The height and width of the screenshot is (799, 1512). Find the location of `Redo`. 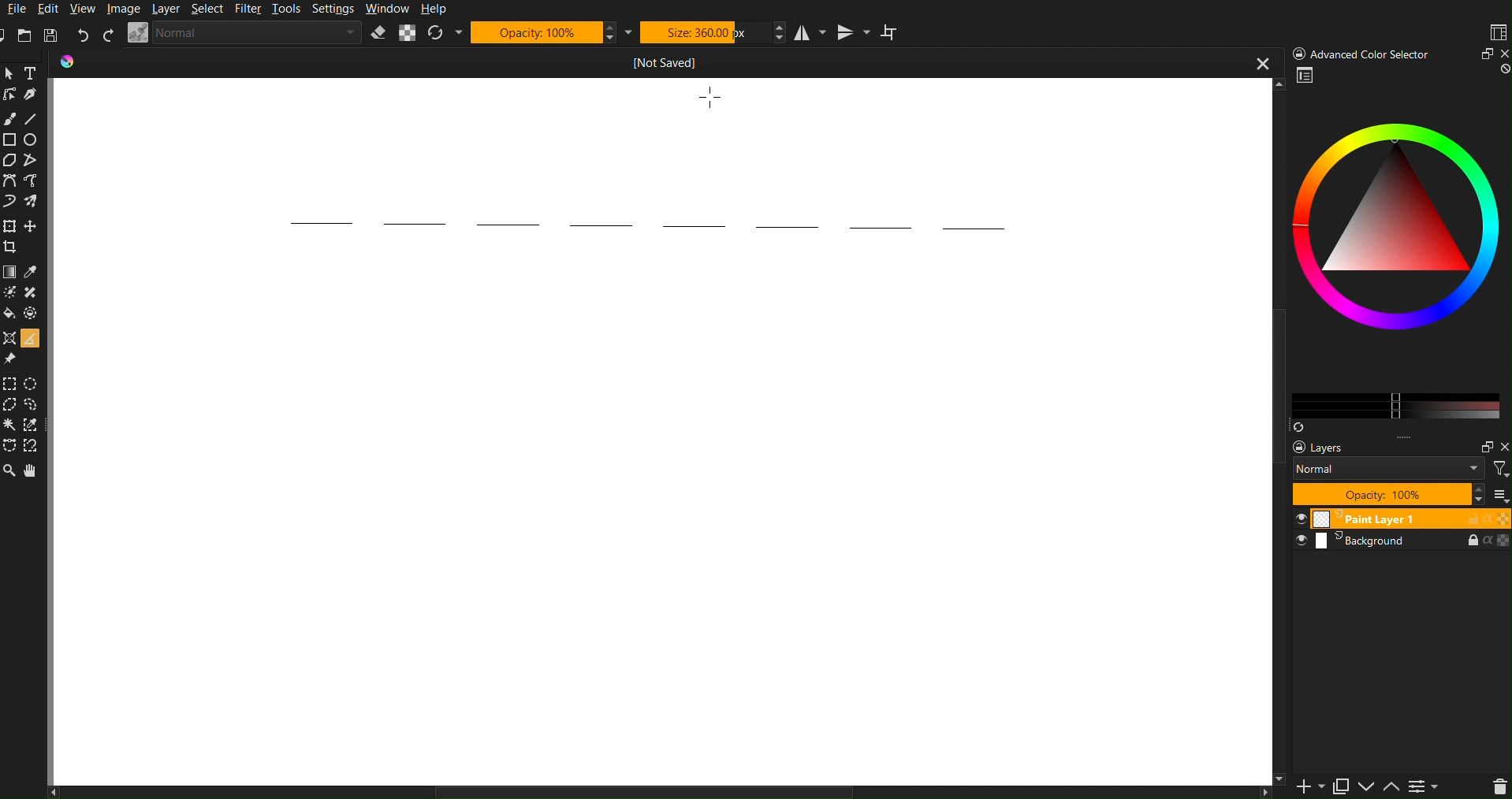

Redo is located at coordinates (108, 35).